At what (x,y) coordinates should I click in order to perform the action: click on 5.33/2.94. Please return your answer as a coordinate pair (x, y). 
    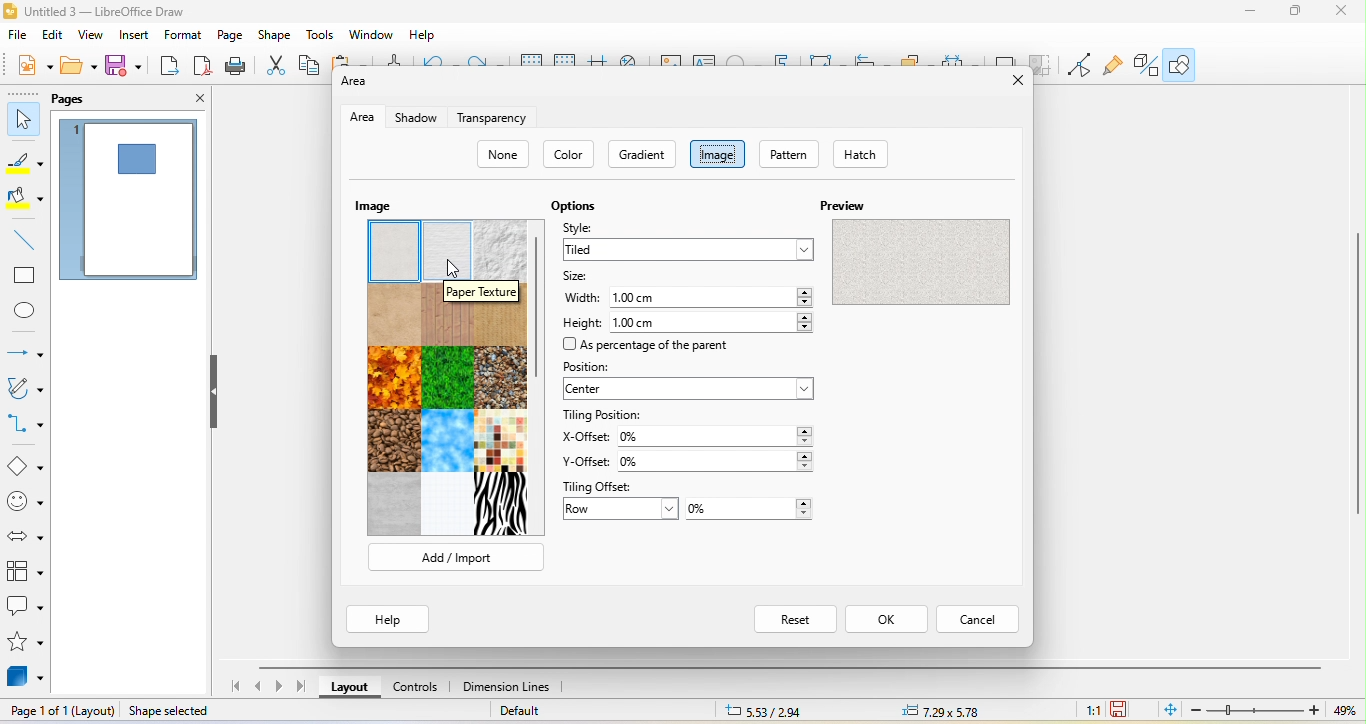
    Looking at the image, I should click on (763, 711).